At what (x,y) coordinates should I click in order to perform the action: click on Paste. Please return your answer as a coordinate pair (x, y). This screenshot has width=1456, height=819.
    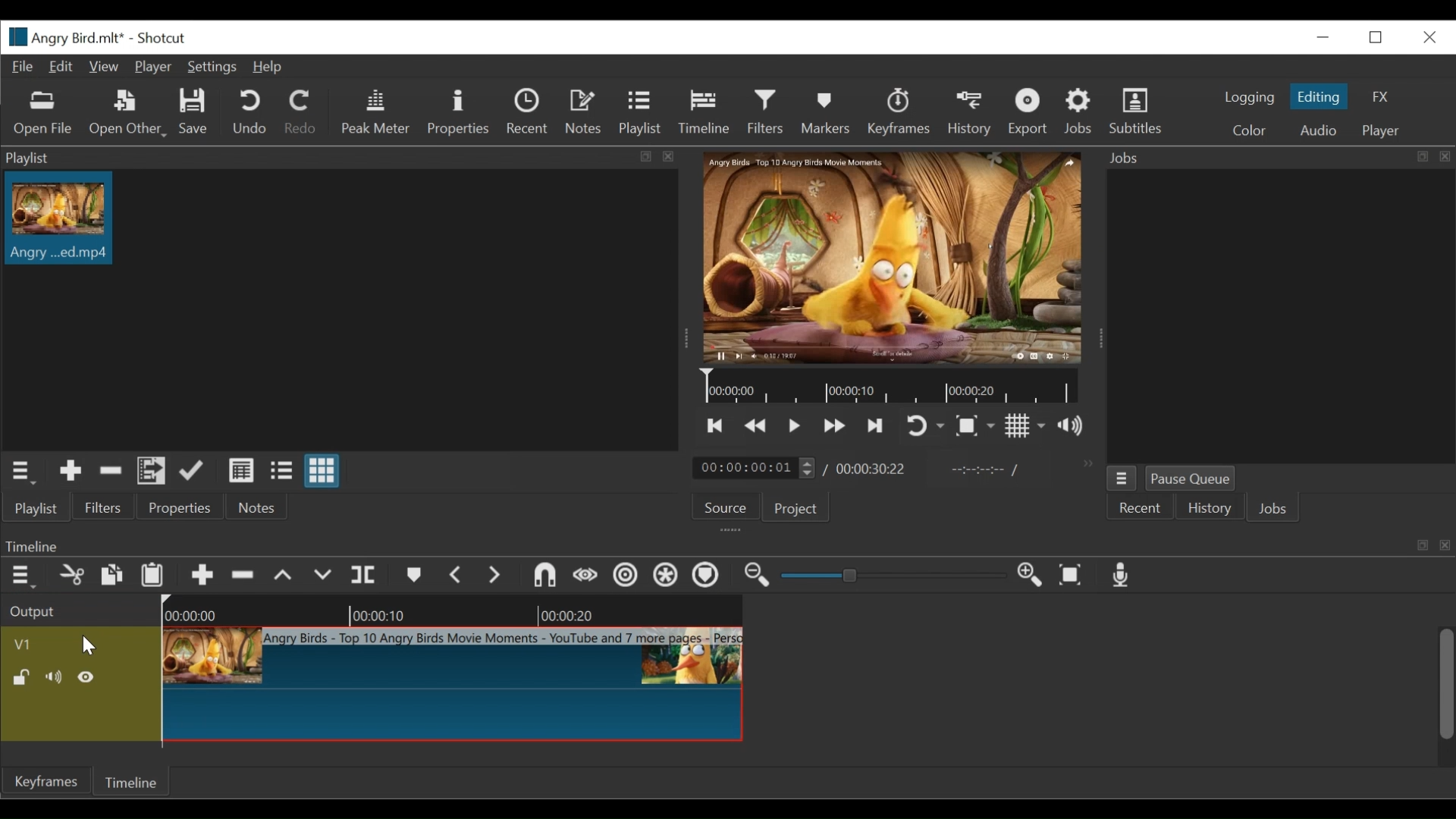
    Looking at the image, I should click on (155, 577).